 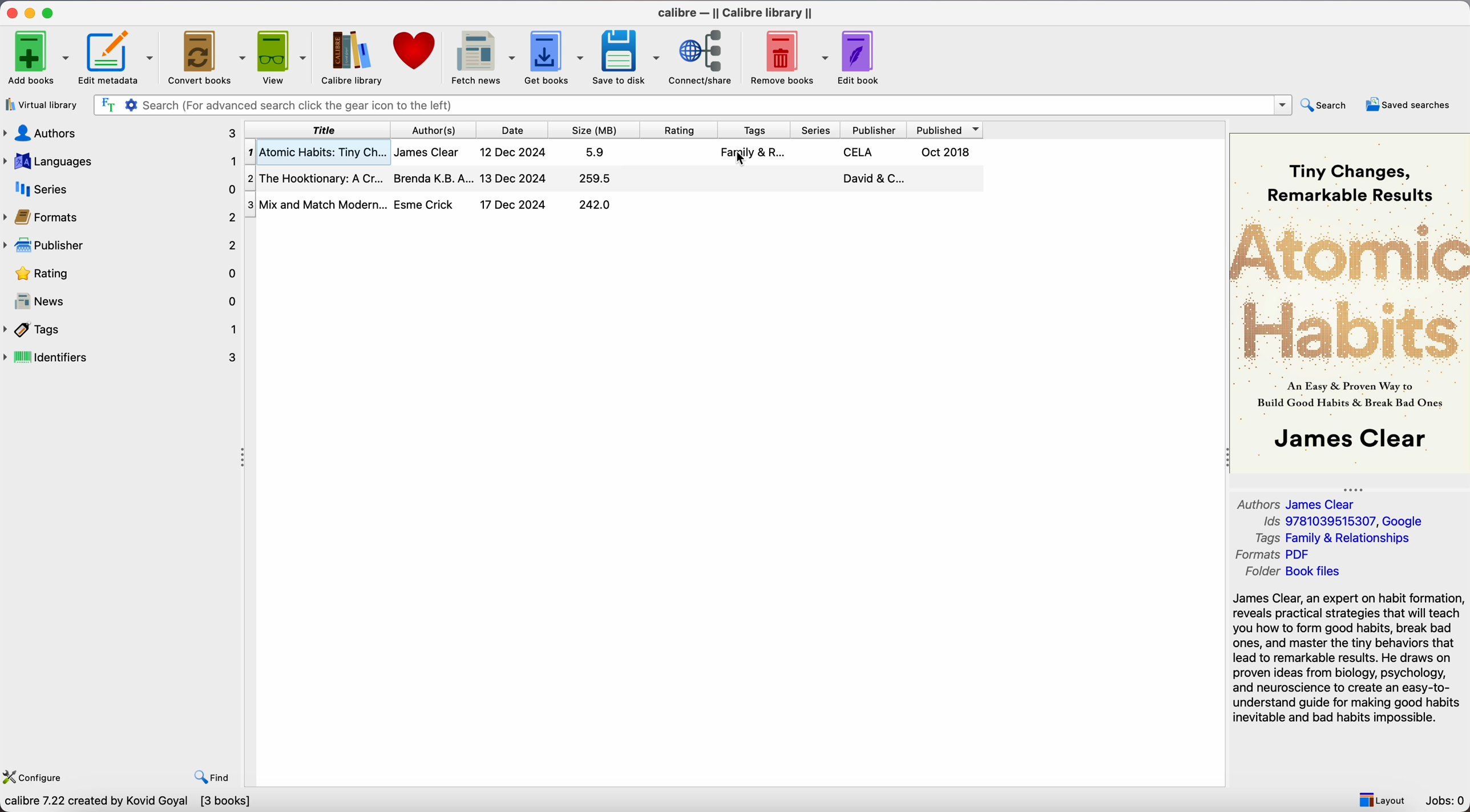 I want to click on Calibre - || Calibre library ||, so click(x=737, y=13).